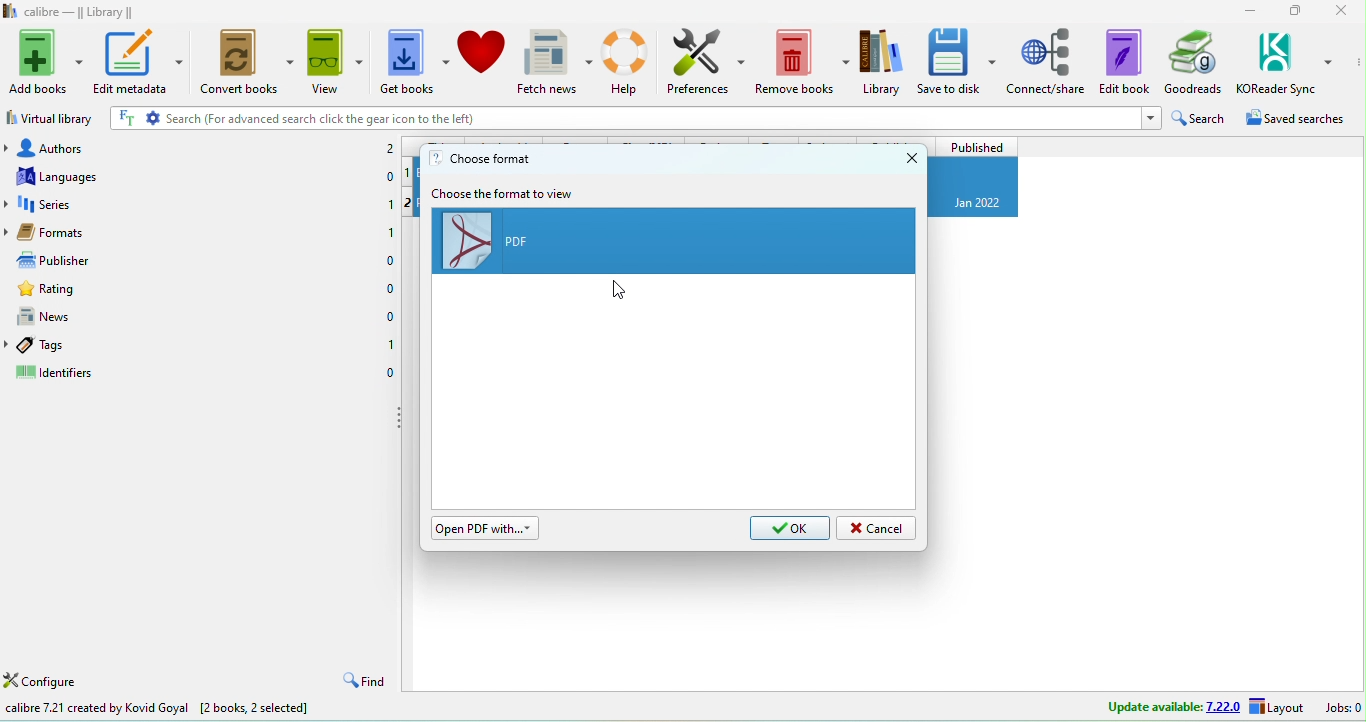 This screenshot has width=1366, height=722. I want to click on Preferences, so click(707, 61).